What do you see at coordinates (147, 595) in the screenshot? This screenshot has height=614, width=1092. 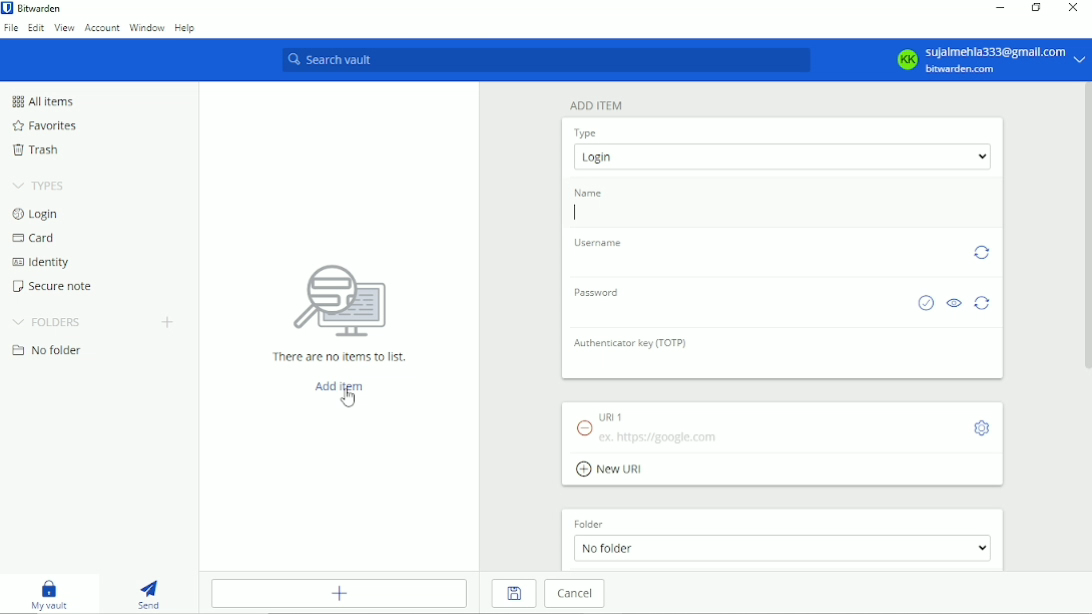 I see `Send` at bounding box center [147, 595].